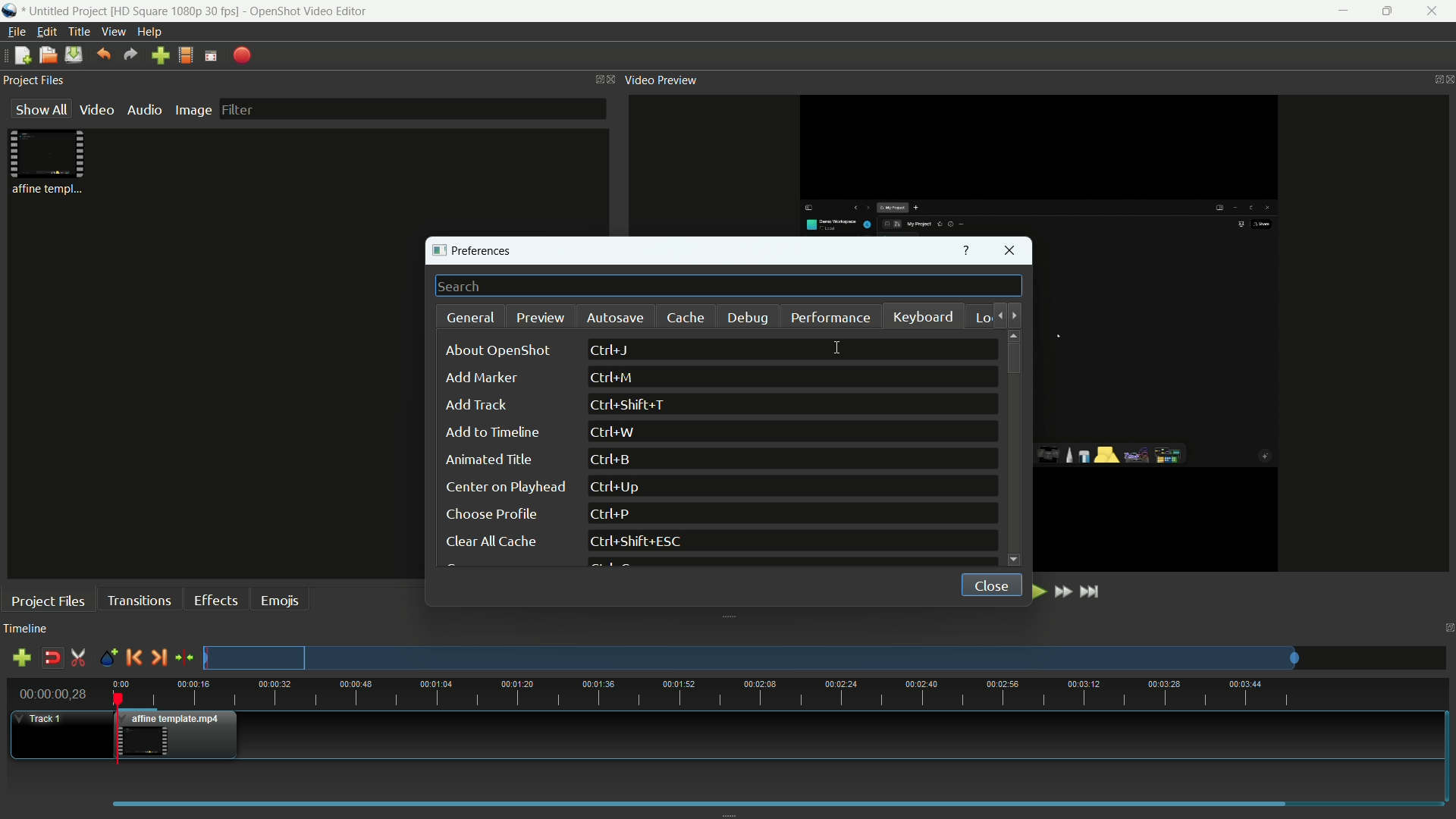 The height and width of the screenshot is (819, 1456). What do you see at coordinates (42, 719) in the screenshot?
I see `track 1` at bounding box center [42, 719].